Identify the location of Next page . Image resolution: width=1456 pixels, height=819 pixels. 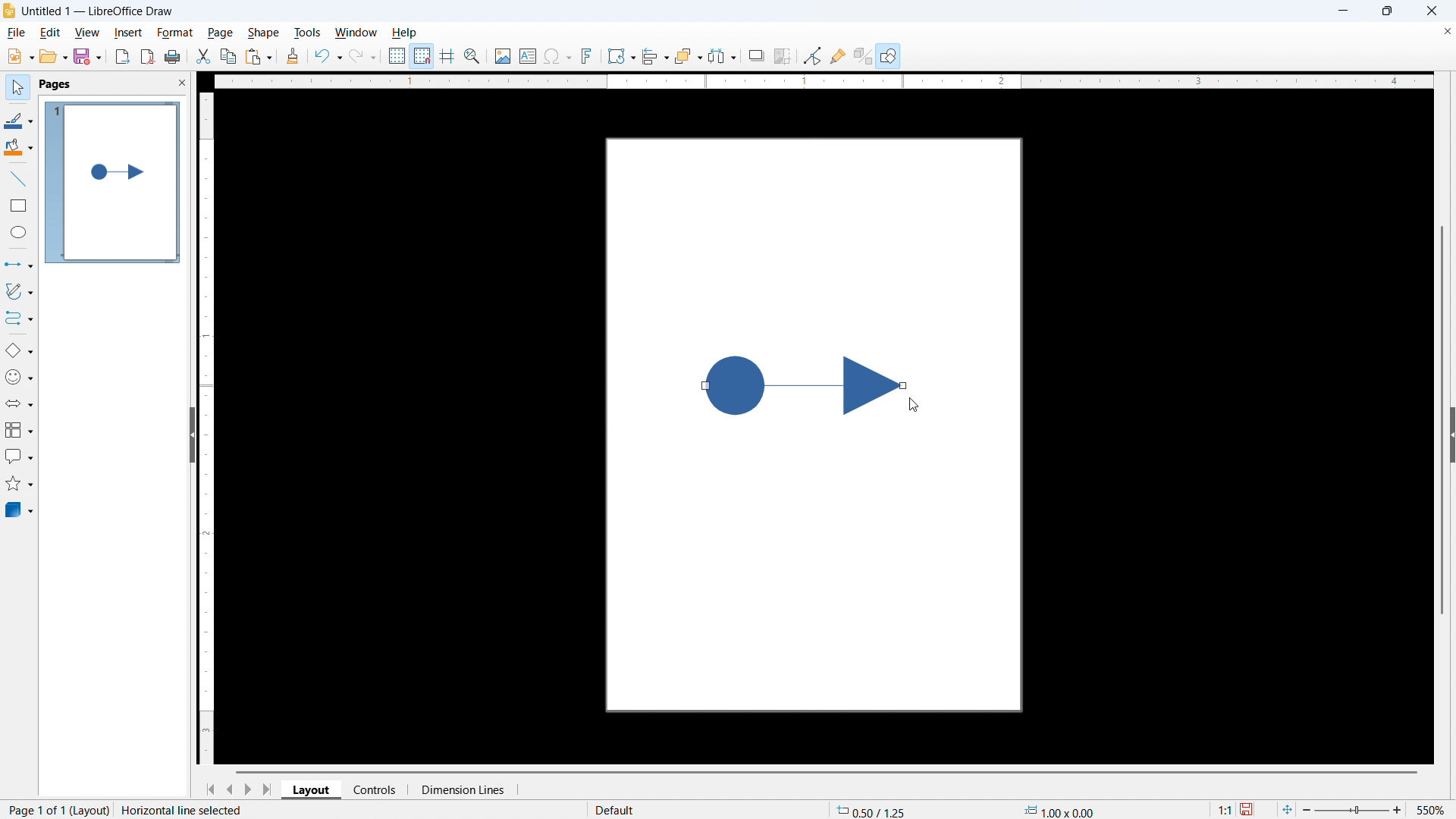
(247, 789).